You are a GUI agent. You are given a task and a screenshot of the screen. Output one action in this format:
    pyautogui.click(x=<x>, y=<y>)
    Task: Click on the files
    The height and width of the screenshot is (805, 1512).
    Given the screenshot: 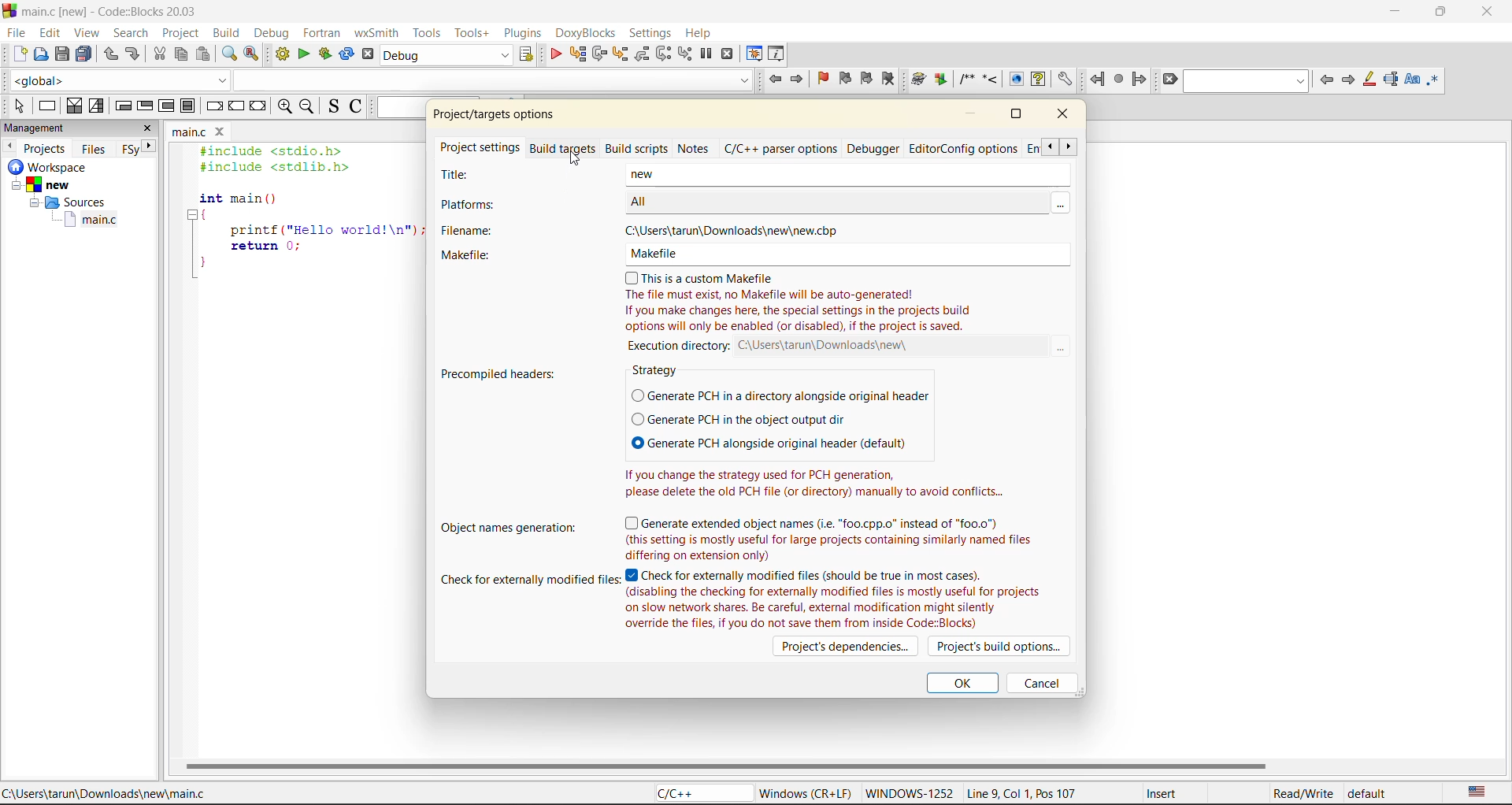 What is the action you would take?
    pyautogui.click(x=94, y=150)
    